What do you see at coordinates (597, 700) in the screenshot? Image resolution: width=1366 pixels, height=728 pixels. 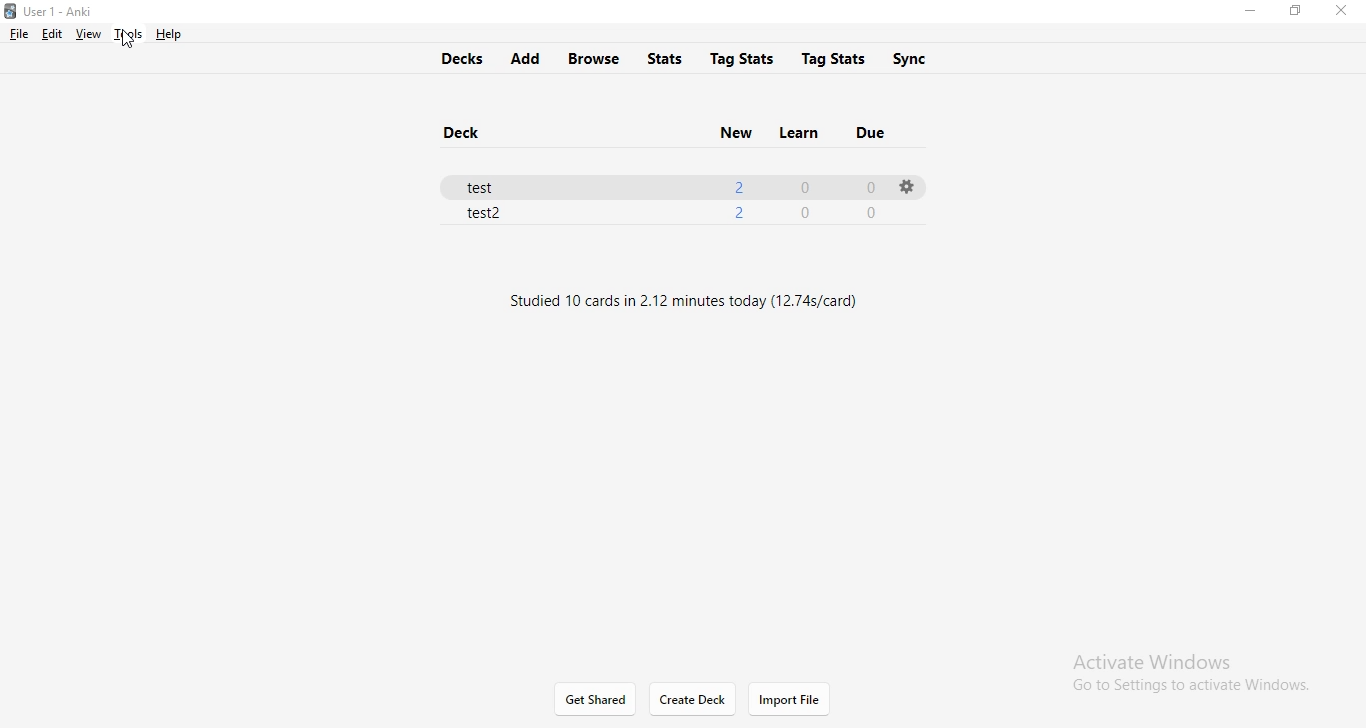 I see `get shared` at bounding box center [597, 700].